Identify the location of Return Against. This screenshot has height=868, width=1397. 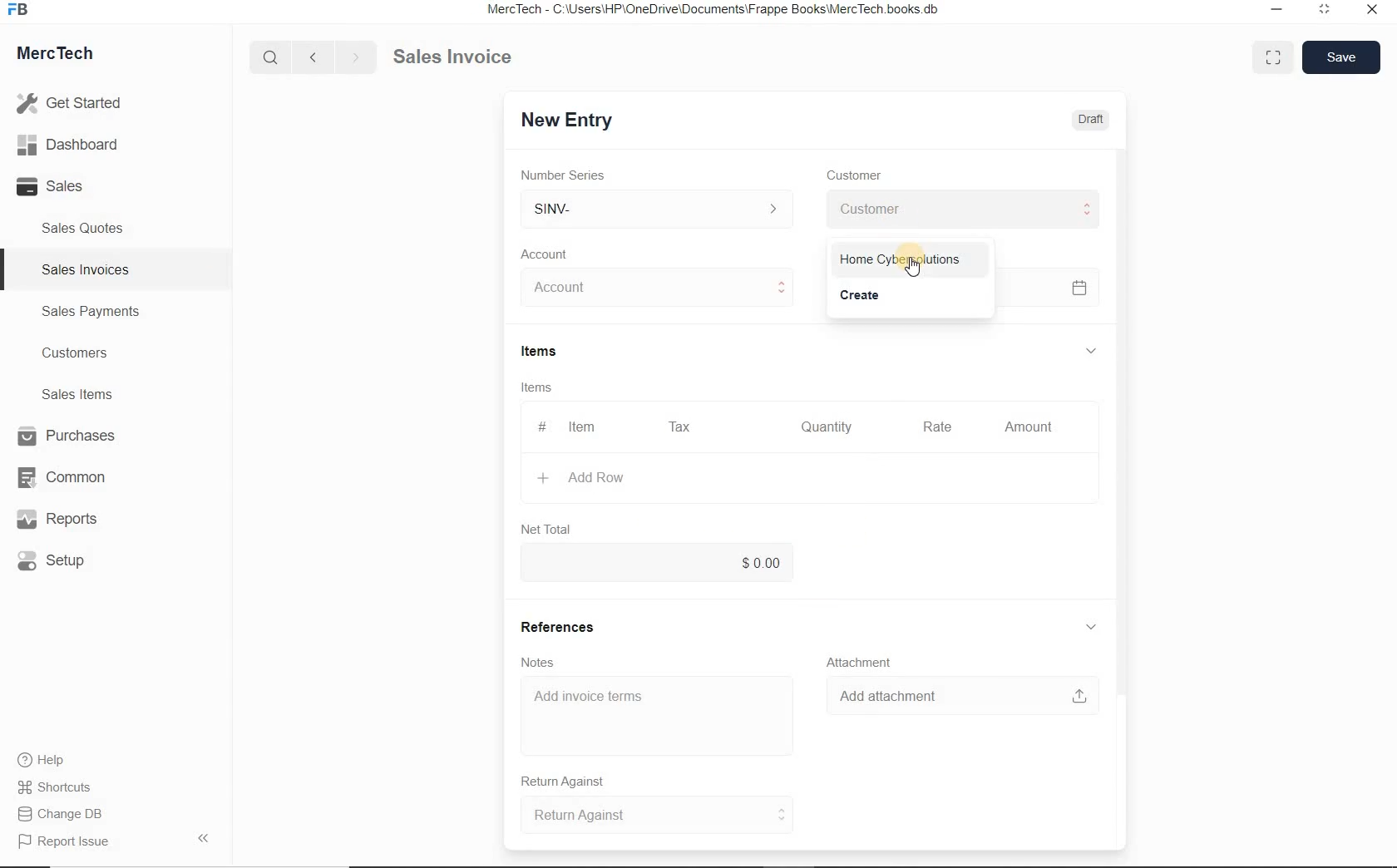
(575, 782).